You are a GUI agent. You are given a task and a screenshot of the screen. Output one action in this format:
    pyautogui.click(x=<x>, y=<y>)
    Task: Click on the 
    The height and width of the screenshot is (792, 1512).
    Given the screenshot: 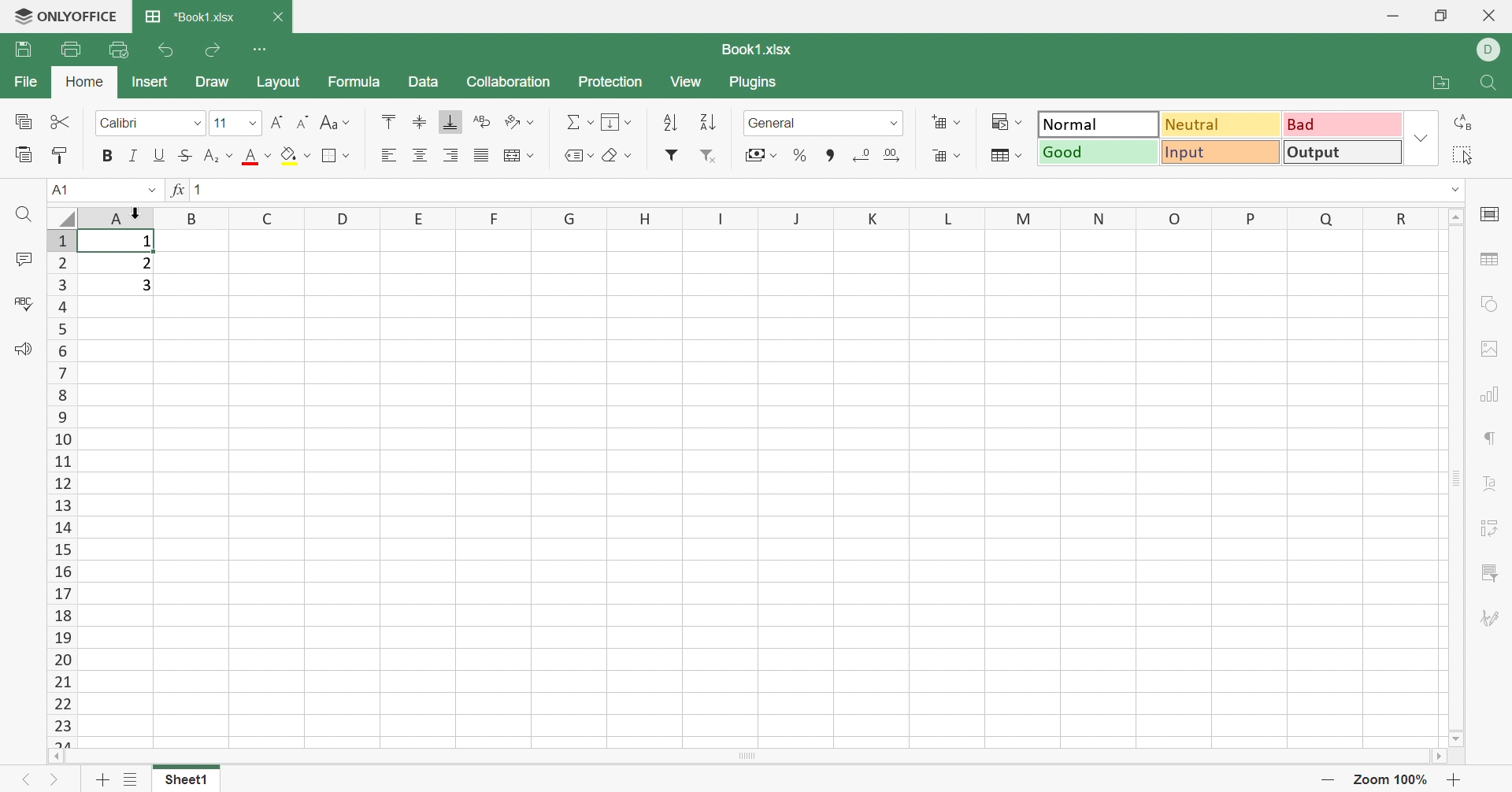 What is the action you would take?
    pyautogui.click(x=1442, y=17)
    